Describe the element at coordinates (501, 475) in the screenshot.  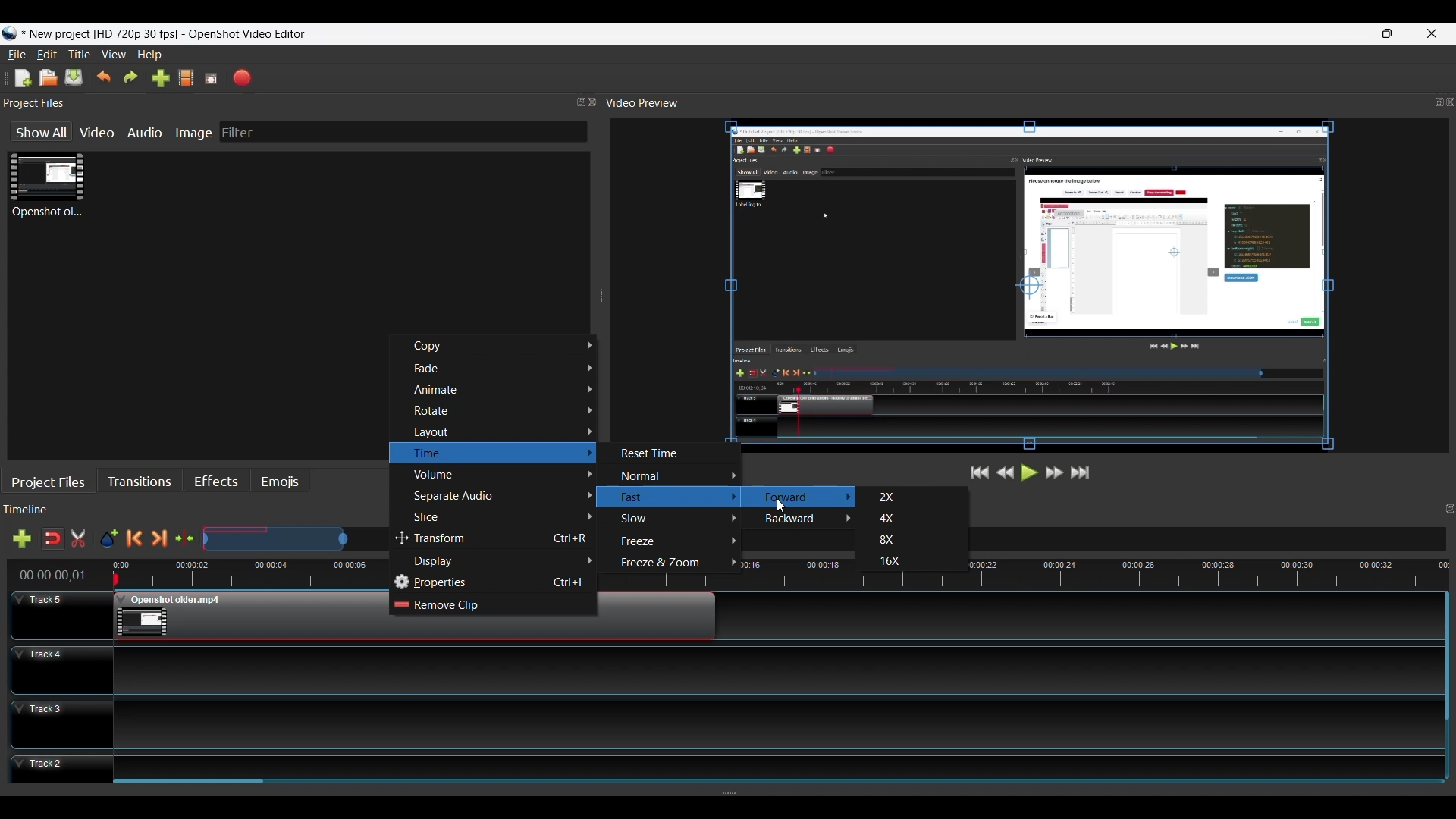
I see `Volume` at that location.